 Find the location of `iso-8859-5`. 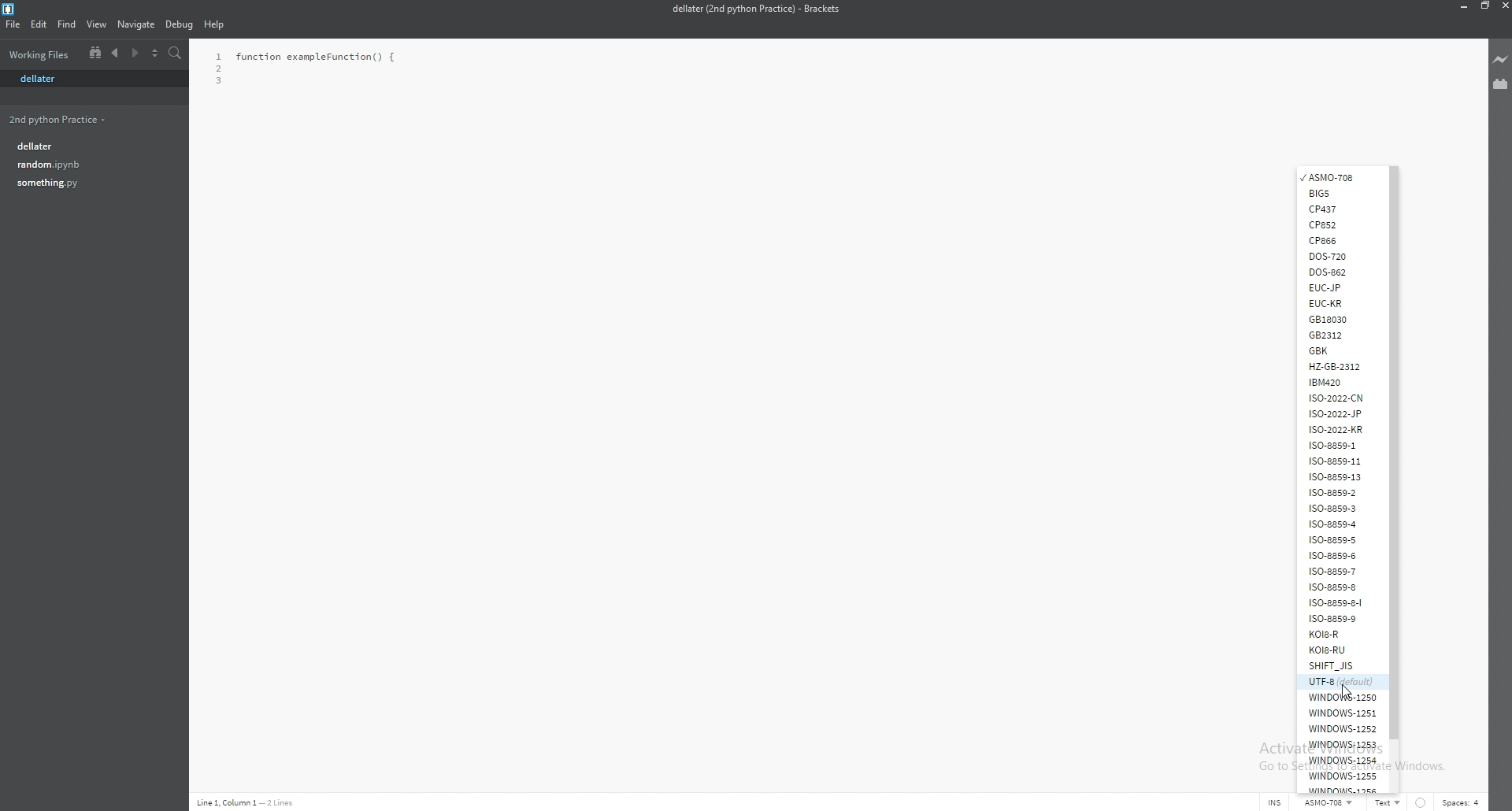

iso-8859-5 is located at coordinates (1339, 539).